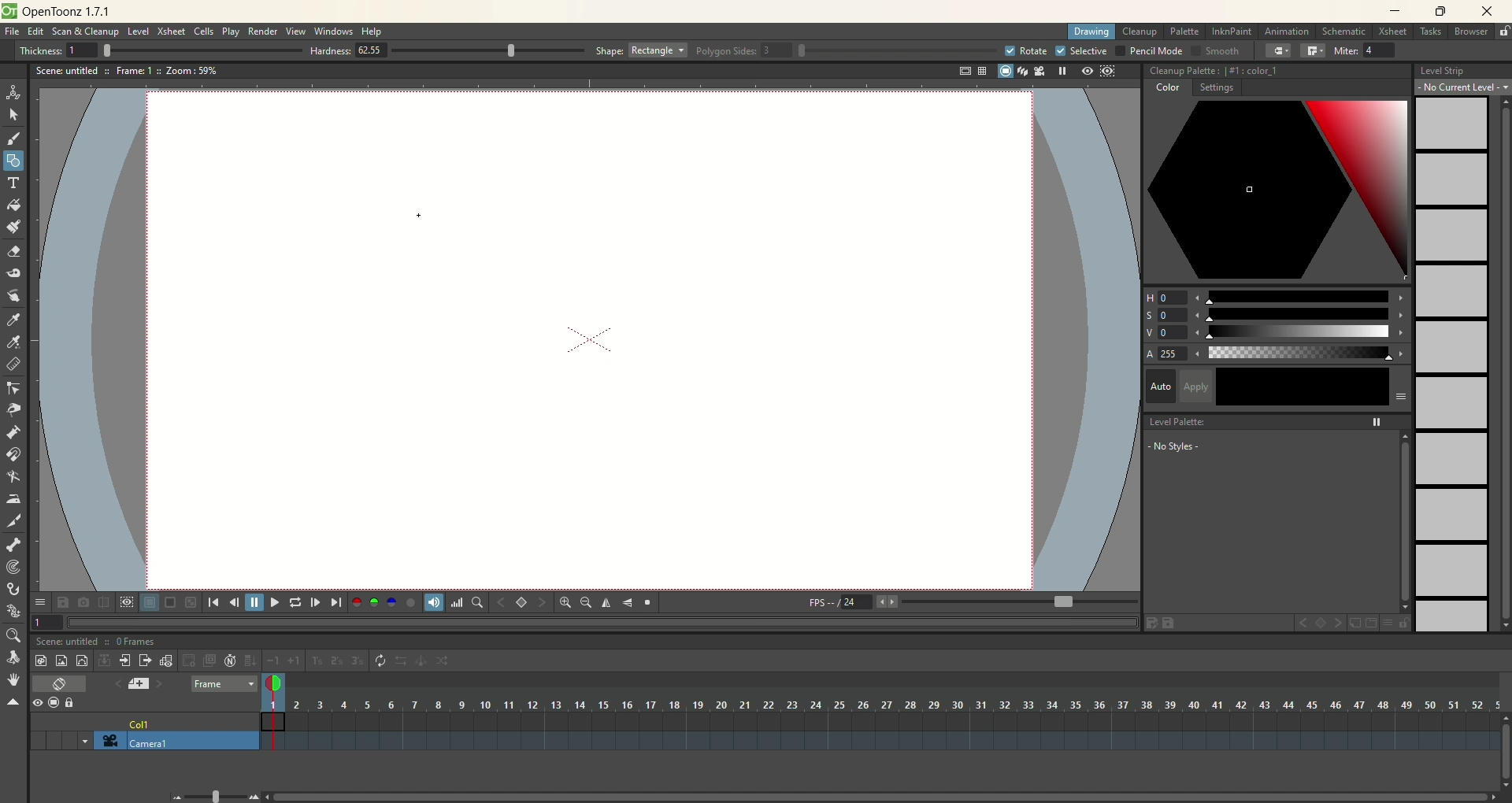 The image size is (1512, 803). What do you see at coordinates (13, 479) in the screenshot?
I see `bender` at bounding box center [13, 479].